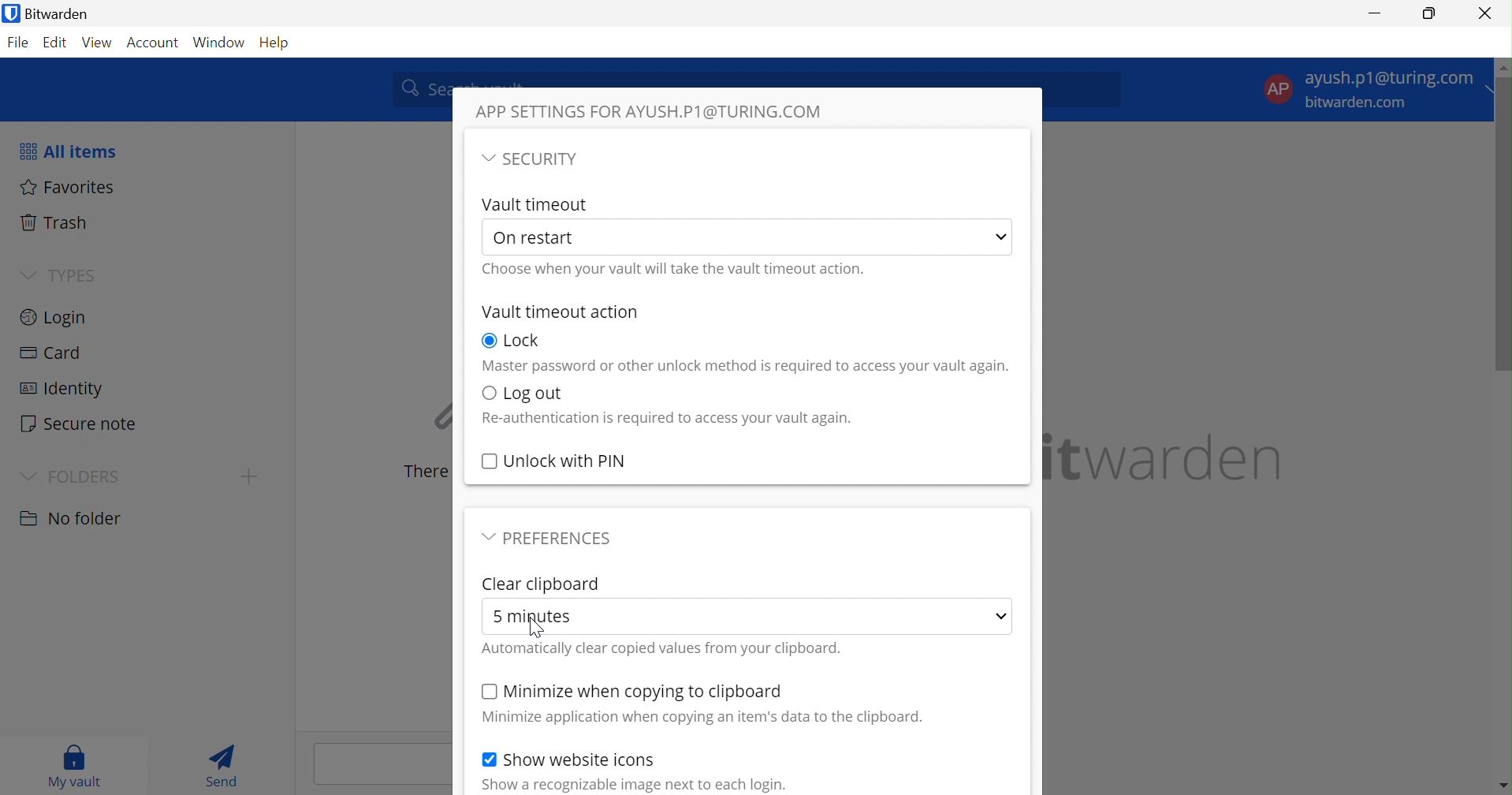 This screenshot has height=795, width=1512. Describe the element at coordinates (1372, 87) in the screenshot. I see `Account settings ` at that location.